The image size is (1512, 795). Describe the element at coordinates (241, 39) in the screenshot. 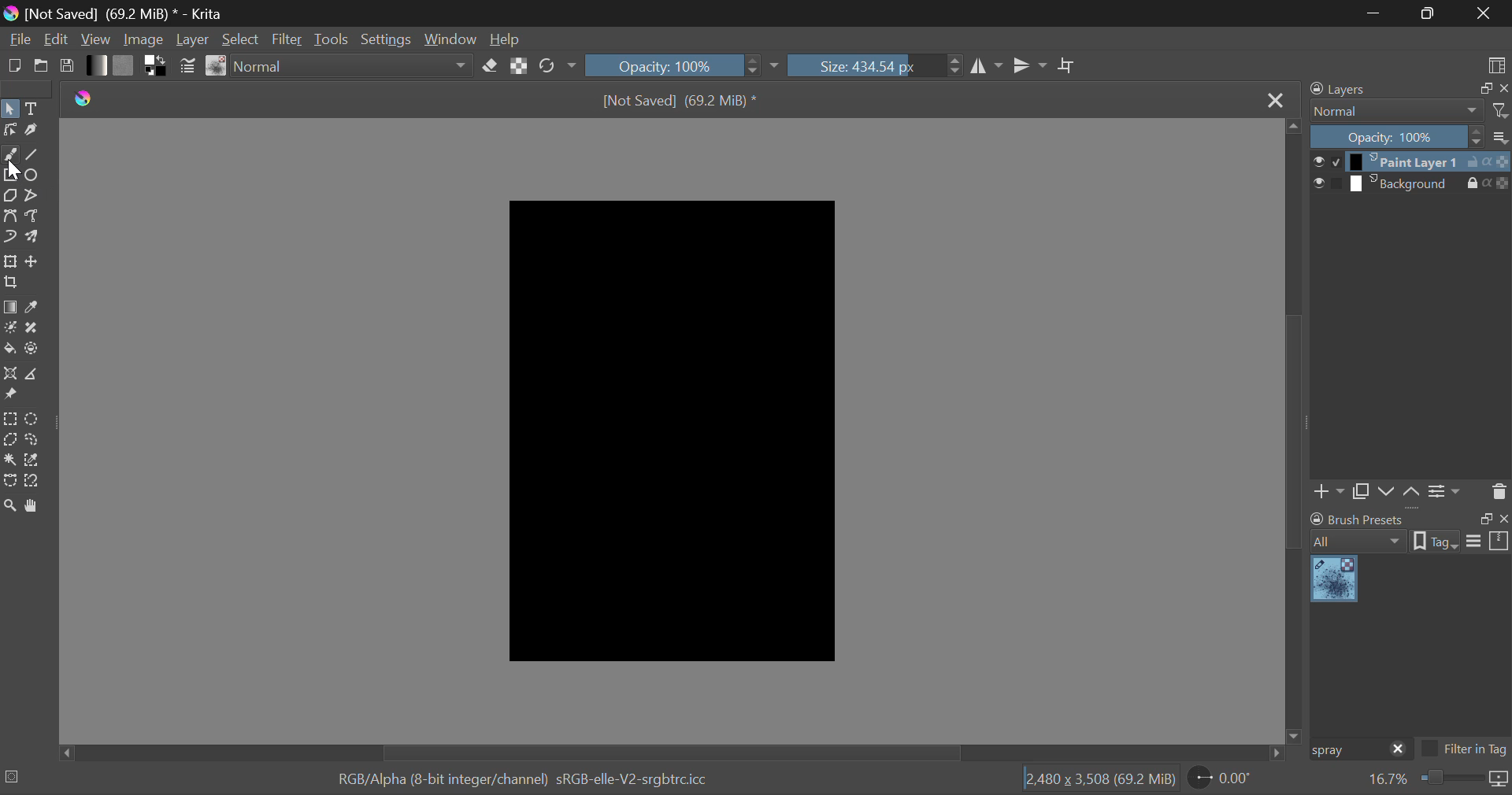

I see `Select` at that location.